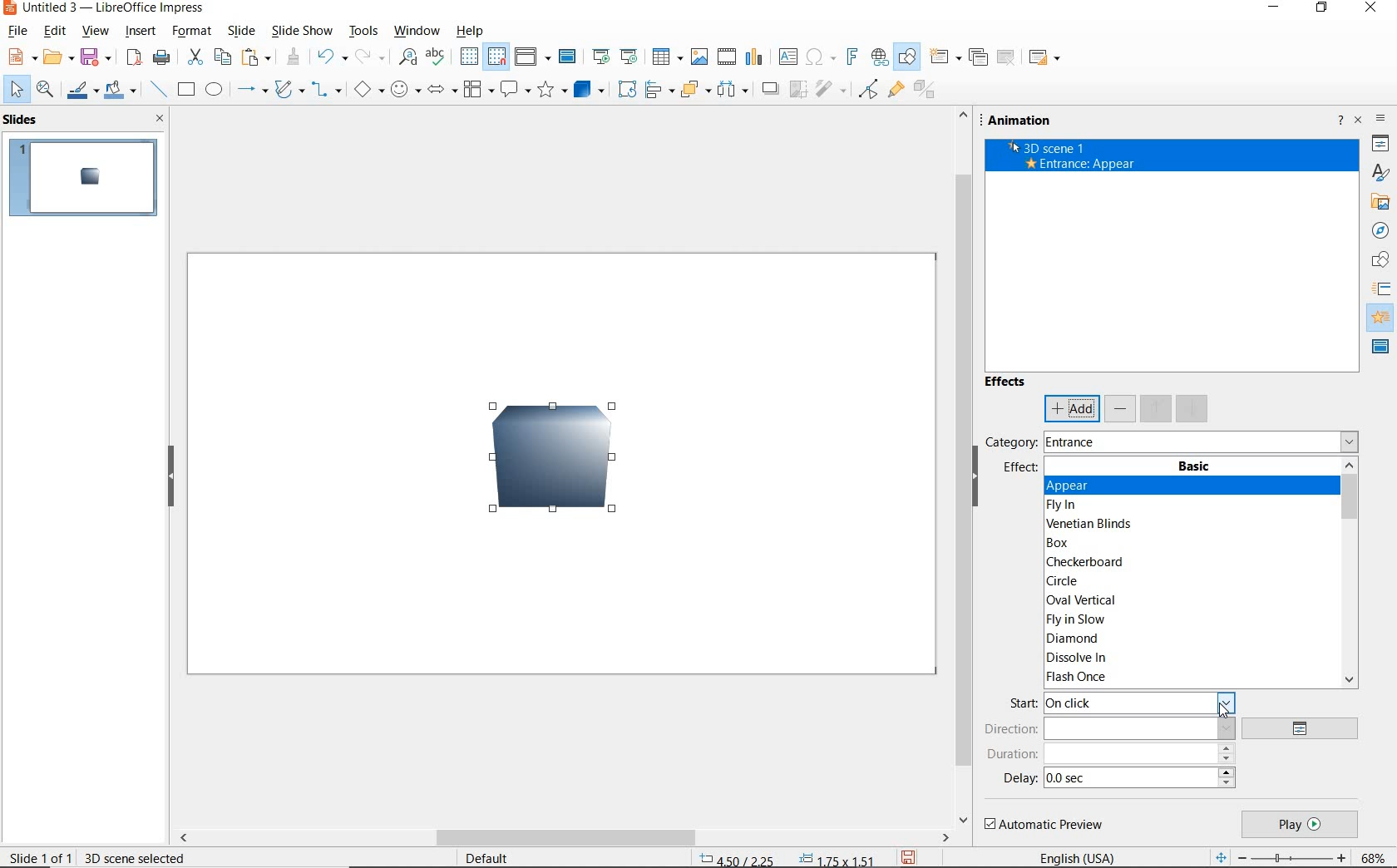 The image size is (1397, 868). What do you see at coordinates (1227, 709) in the screenshot?
I see `cursor` at bounding box center [1227, 709].